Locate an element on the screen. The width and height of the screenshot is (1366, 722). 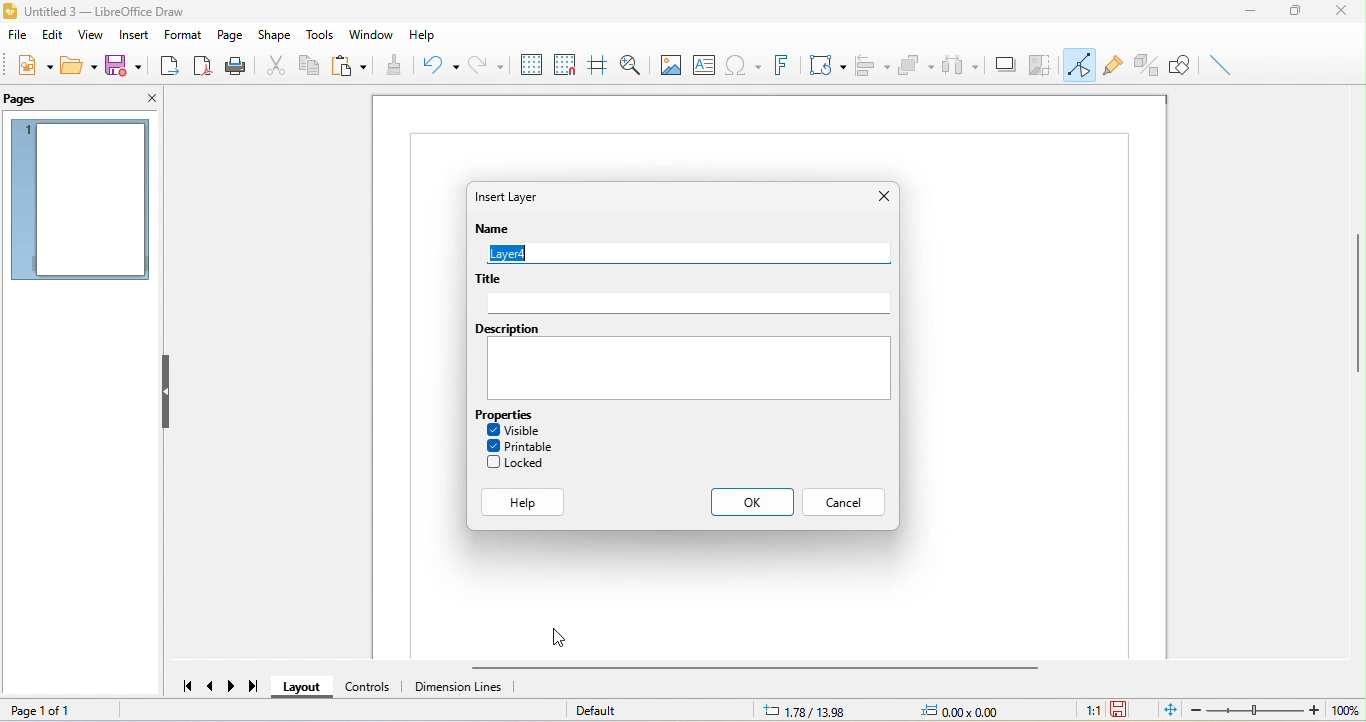
window is located at coordinates (374, 34).